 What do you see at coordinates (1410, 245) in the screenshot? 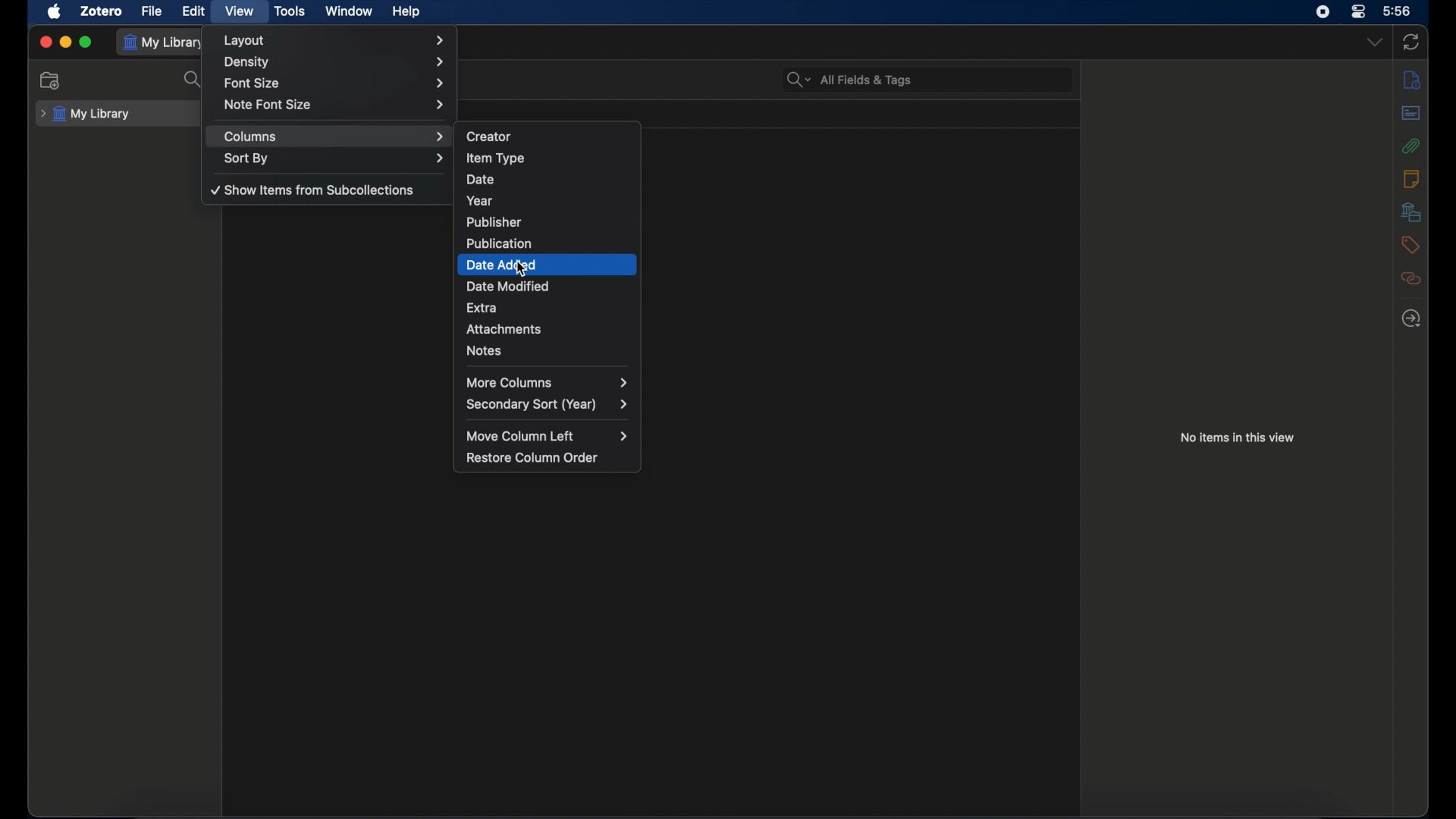
I see `tags` at bounding box center [1410, 245].